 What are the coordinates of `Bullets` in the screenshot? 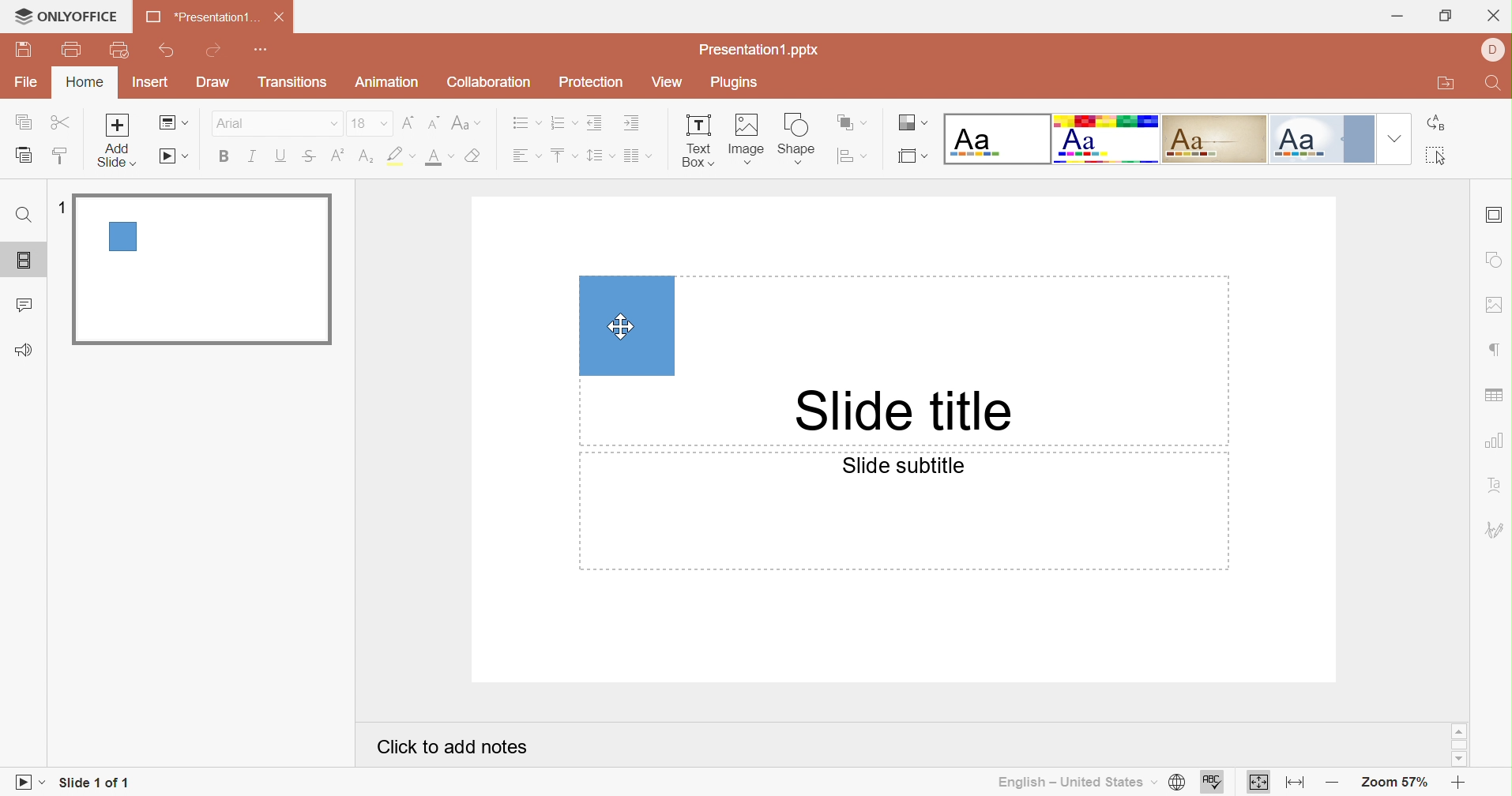 It's located at (526, 123).